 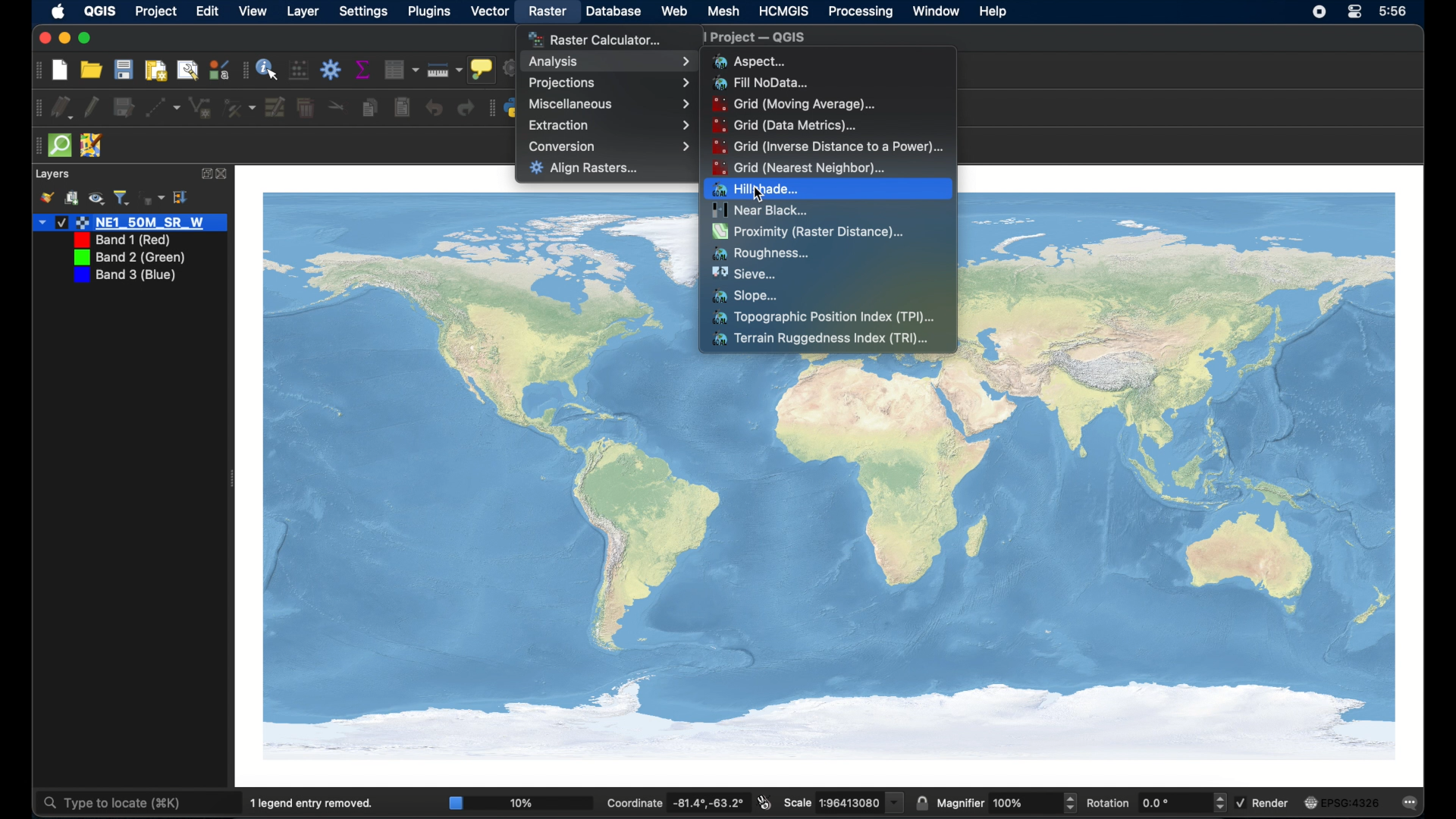 I want to click on toggle extents and mouse display  position, so click(x=765, y=802).